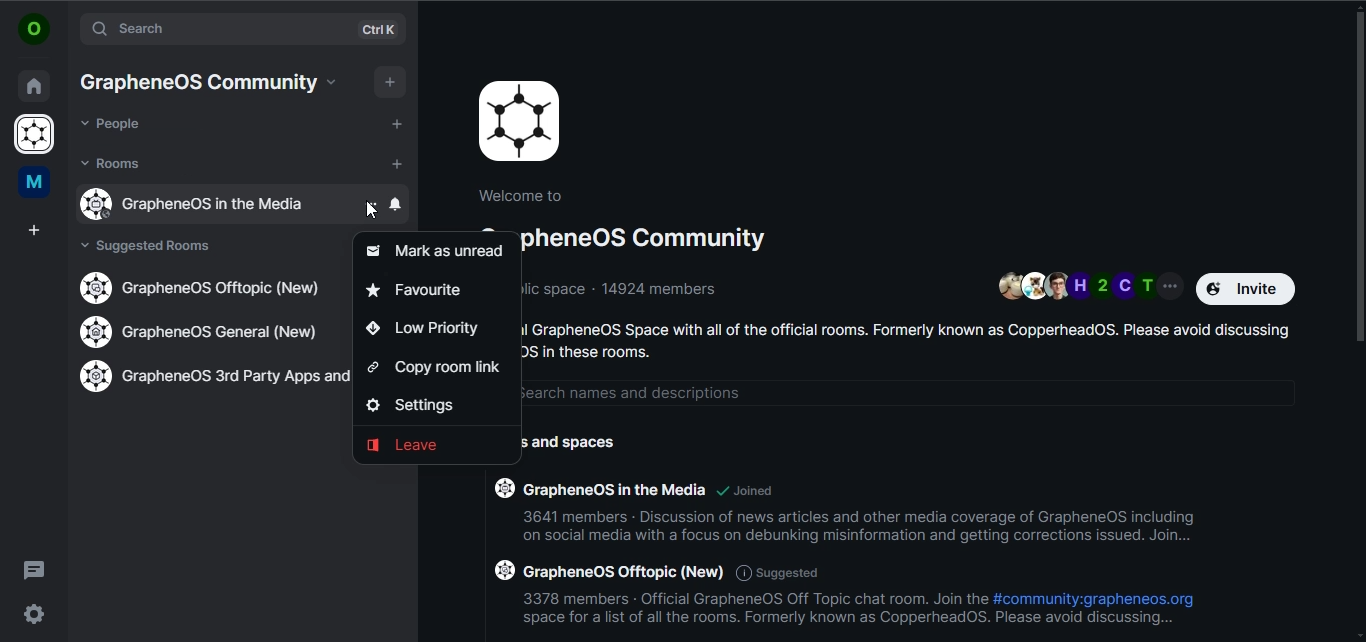 The height and width of the screenshot is (642, 1366). Describe the element at coordinates (207, 288) in the screenshot. I see `grapheneOS offtopic` at that location.